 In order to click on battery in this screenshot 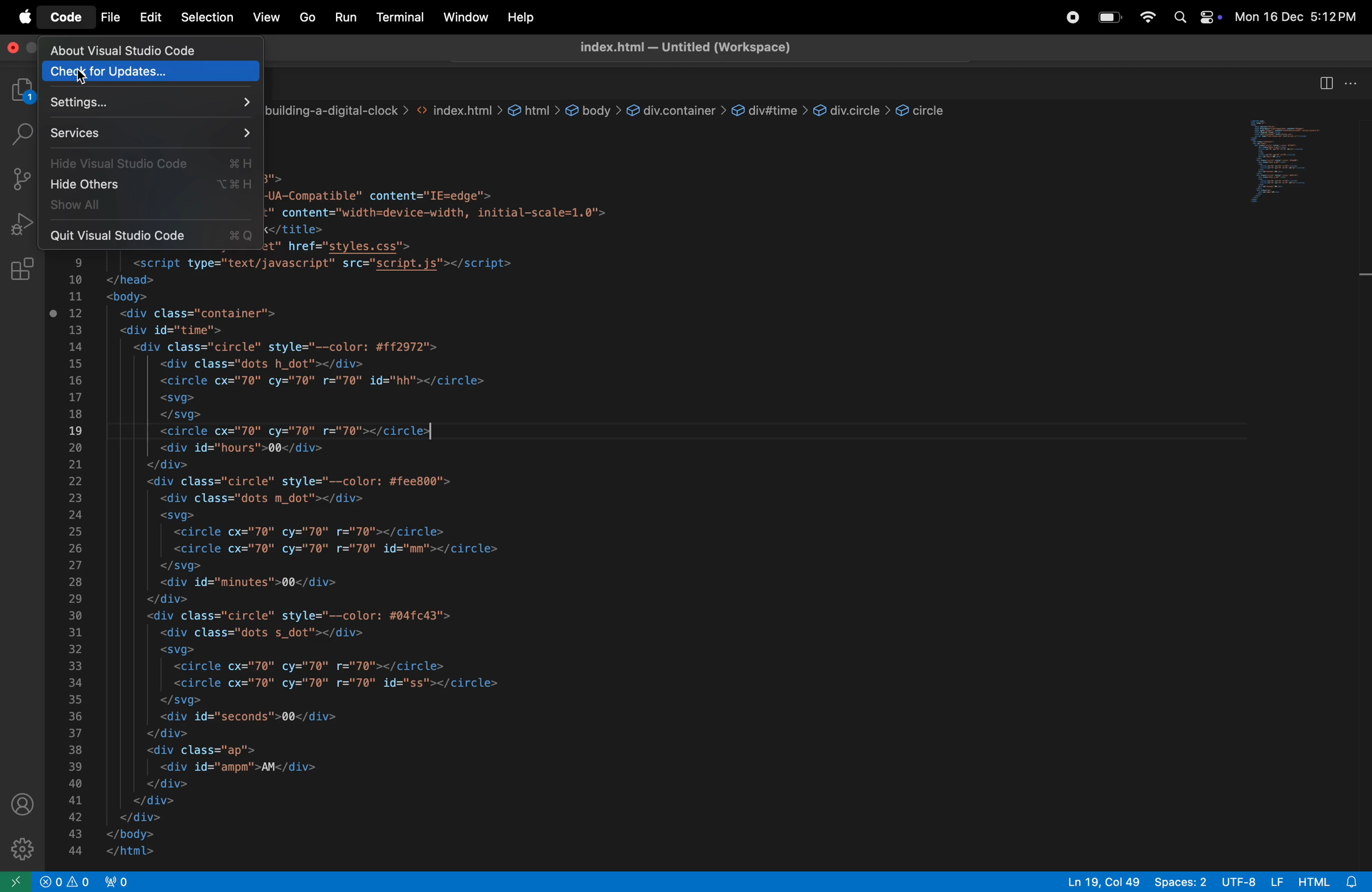, I will do `click(1106, 16)`.